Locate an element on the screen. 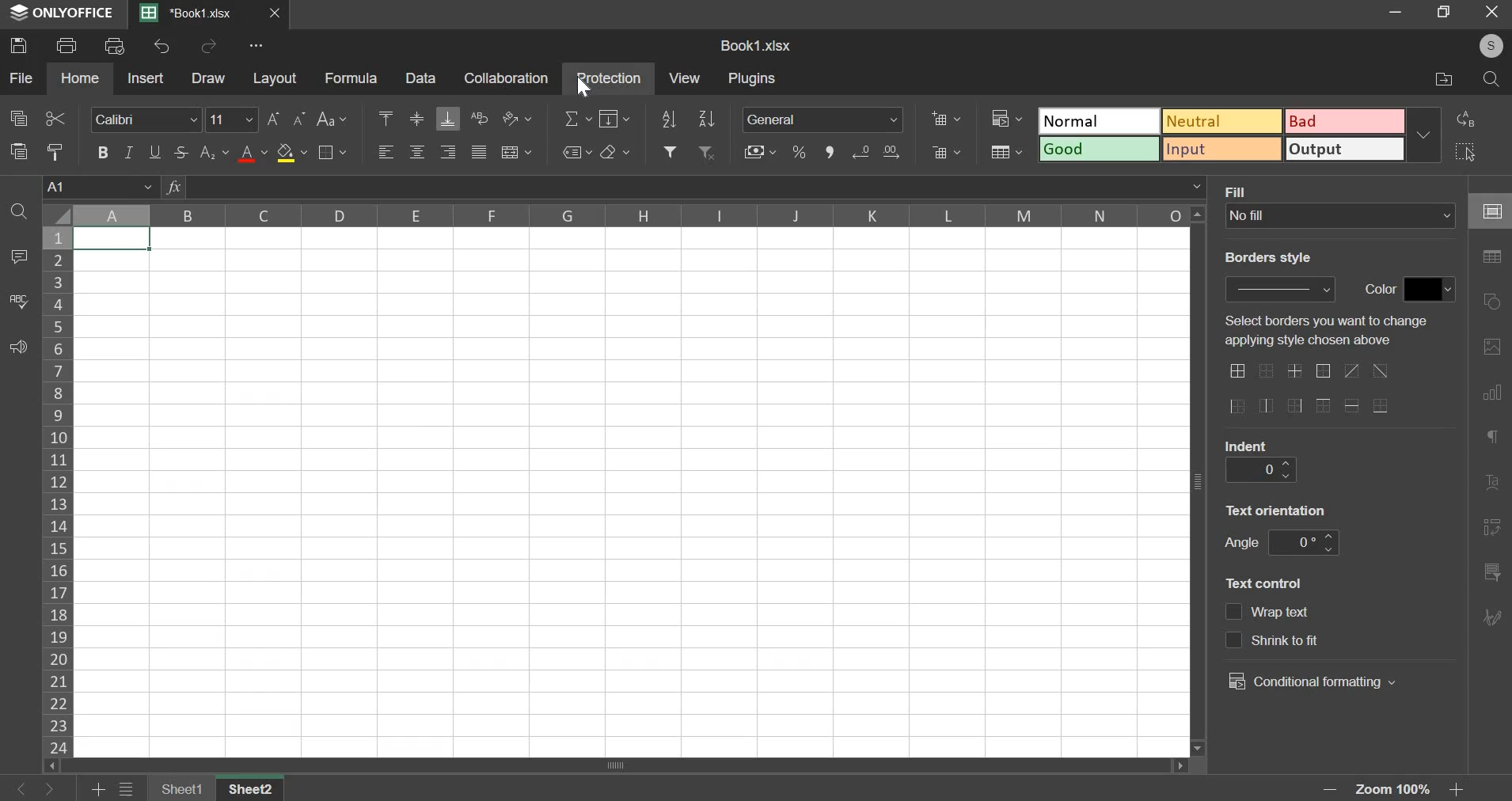 The width and height of the screenshot is (1512, 801). undo is located at coordinates (162, 46).